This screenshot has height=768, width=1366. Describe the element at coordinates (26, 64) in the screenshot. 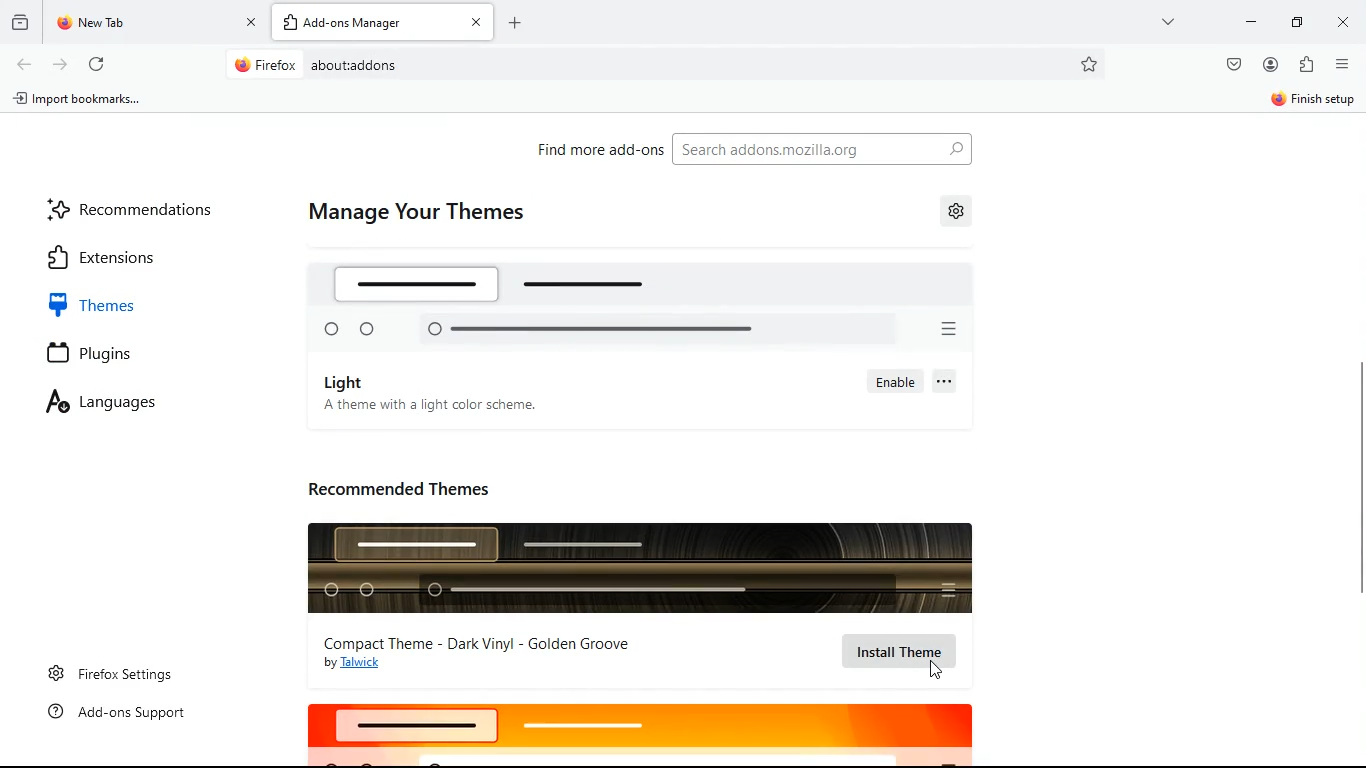

I see `back` at that location.